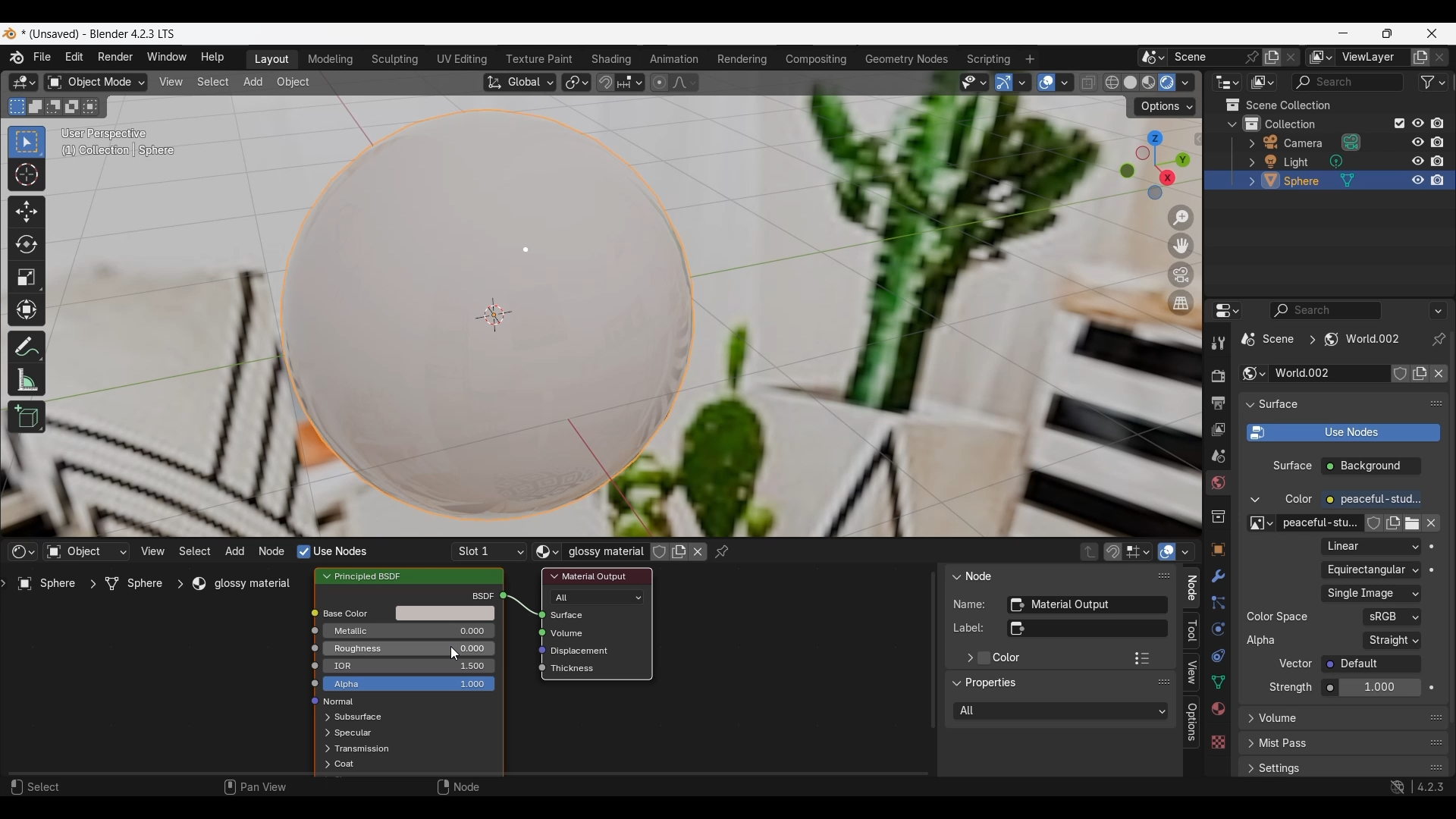 The image size is (1456, 819). Describe the element at coordinates (74, 58) in the screenshot. I see `Edit menu` at that location.